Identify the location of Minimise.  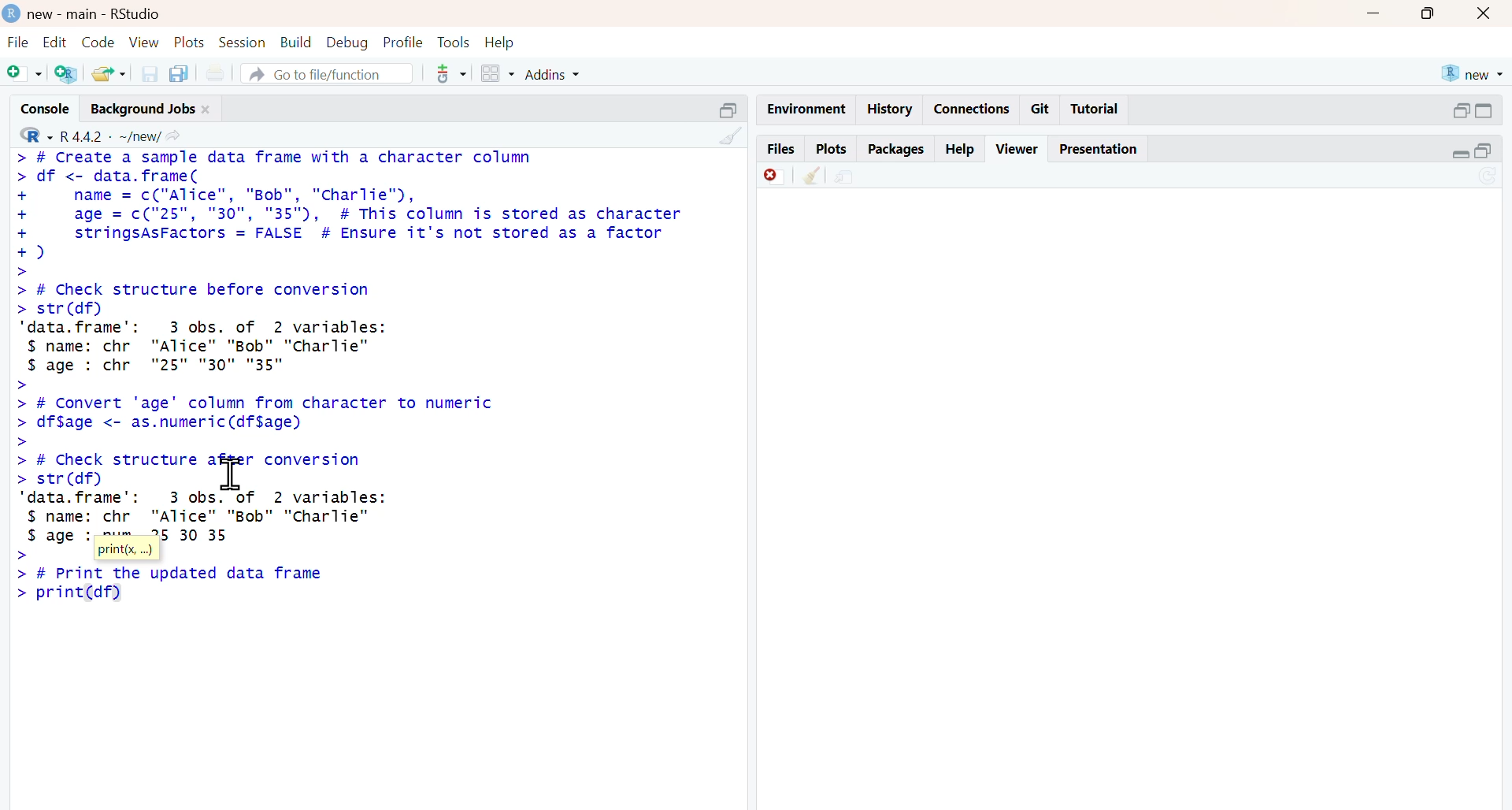
(1373, 12).